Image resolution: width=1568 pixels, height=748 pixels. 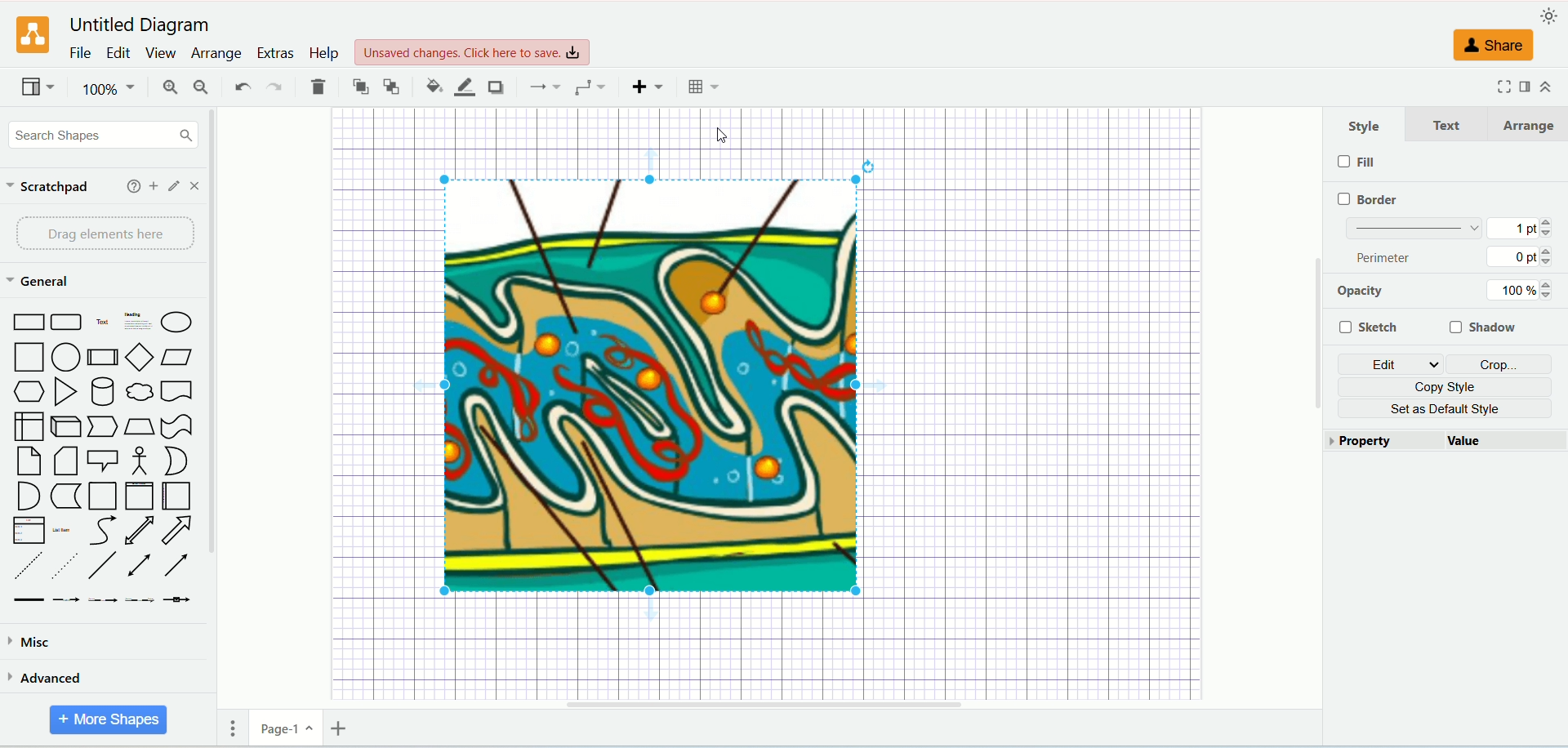 I want to click on opacity, so click(x=1361, y=292).